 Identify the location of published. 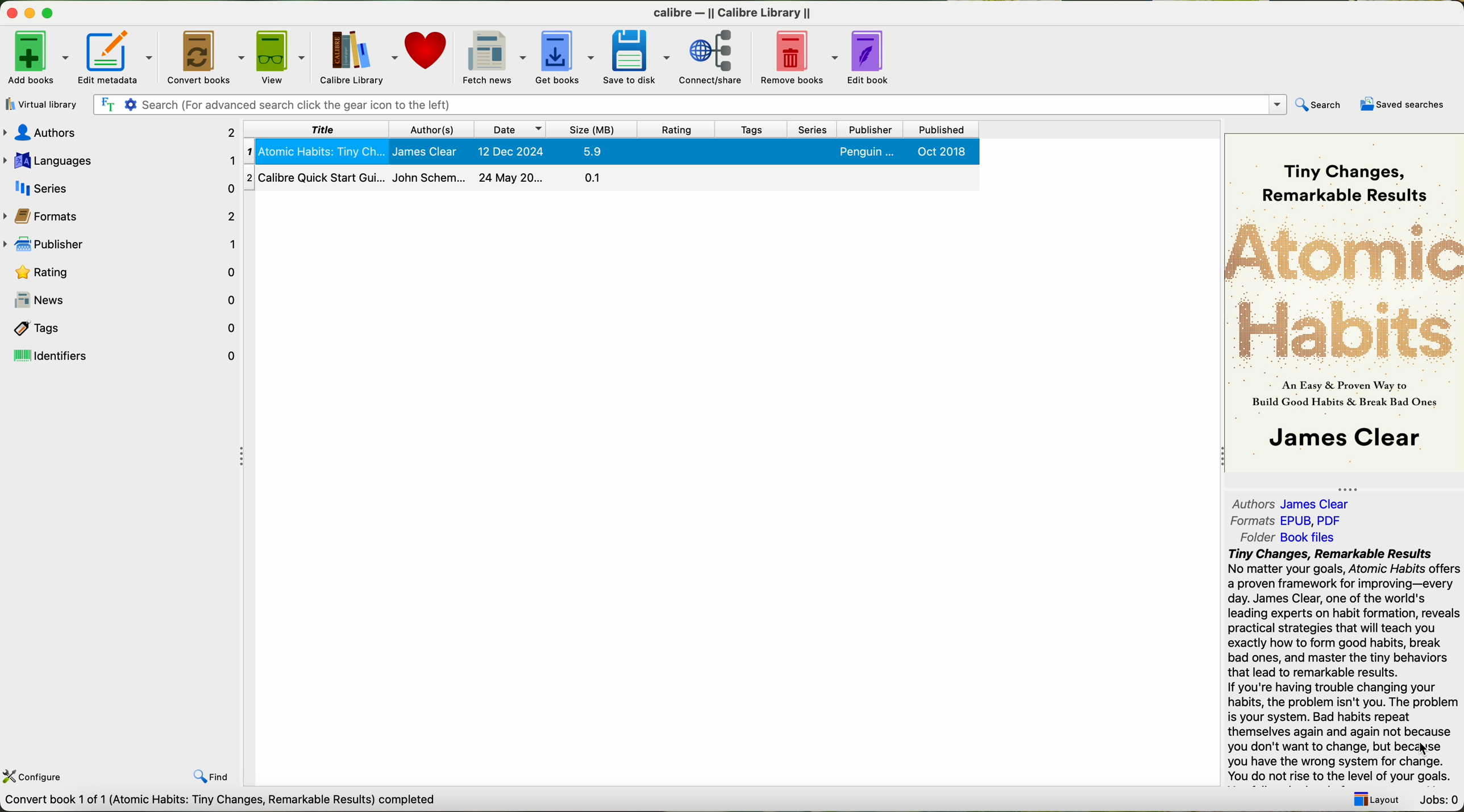
(939, 129).